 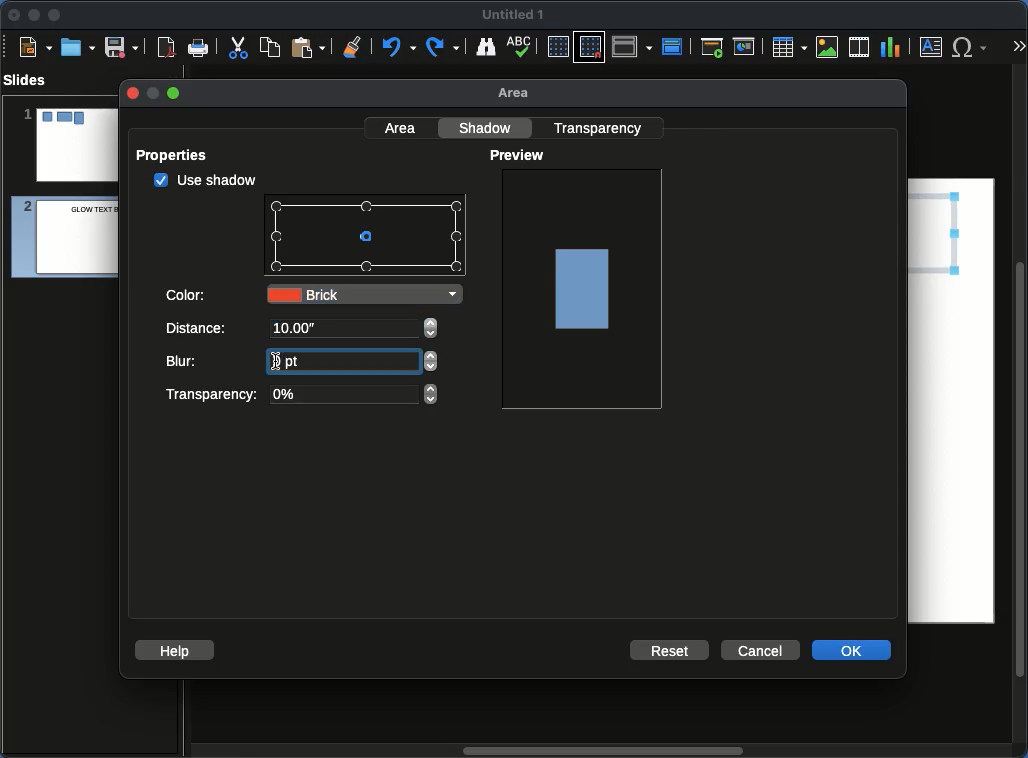 What do you see at coordinates (444, 47) in the screenshot?
I see `Redo` at bounding box center [444, 47].